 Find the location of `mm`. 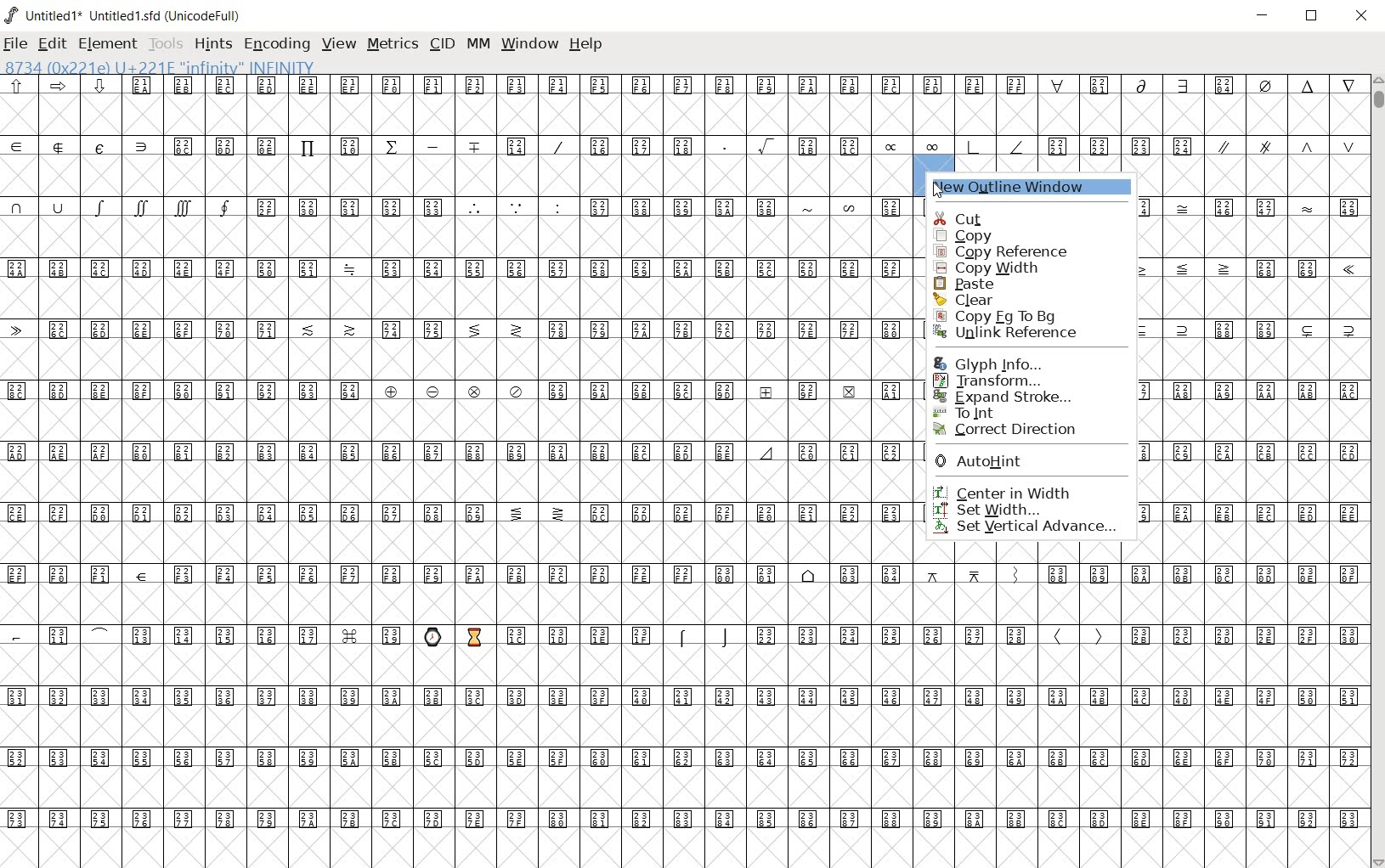

mm is located at coordinates (477, 45).